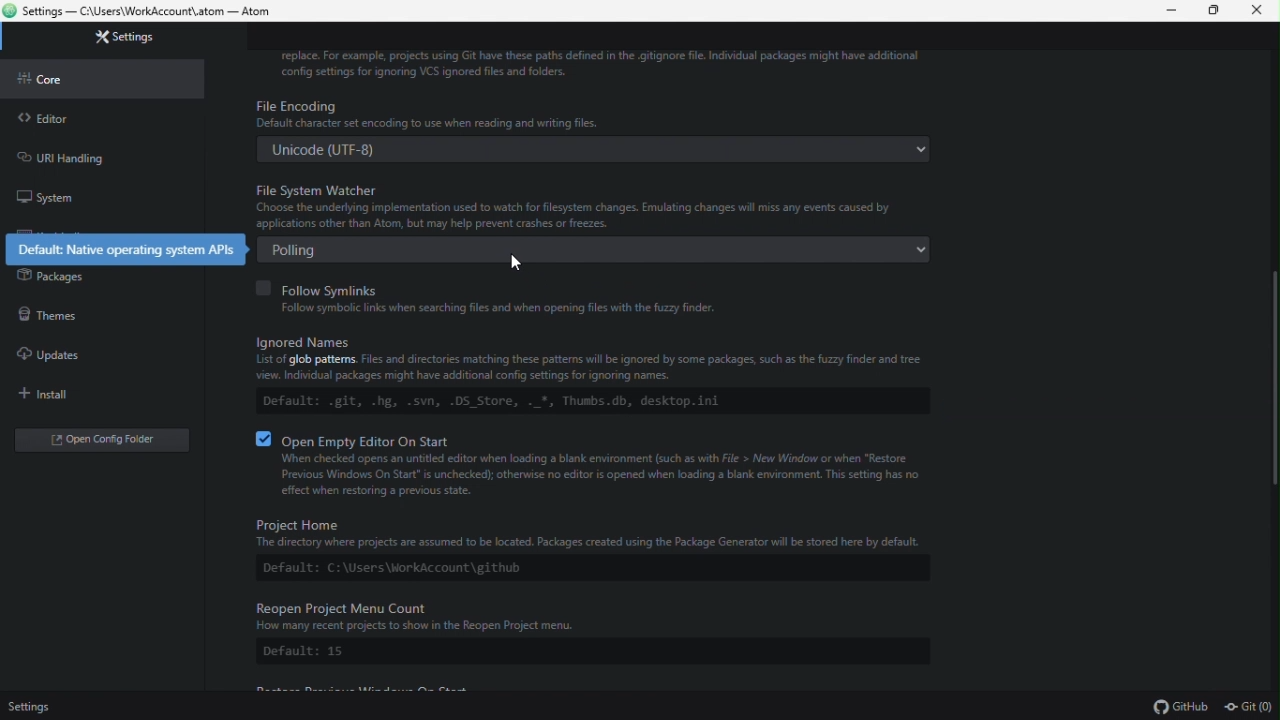 The width and height of the screenshot is (1280, 720). I want to click on  Open Empty Editor On Start, so click(358, 437).